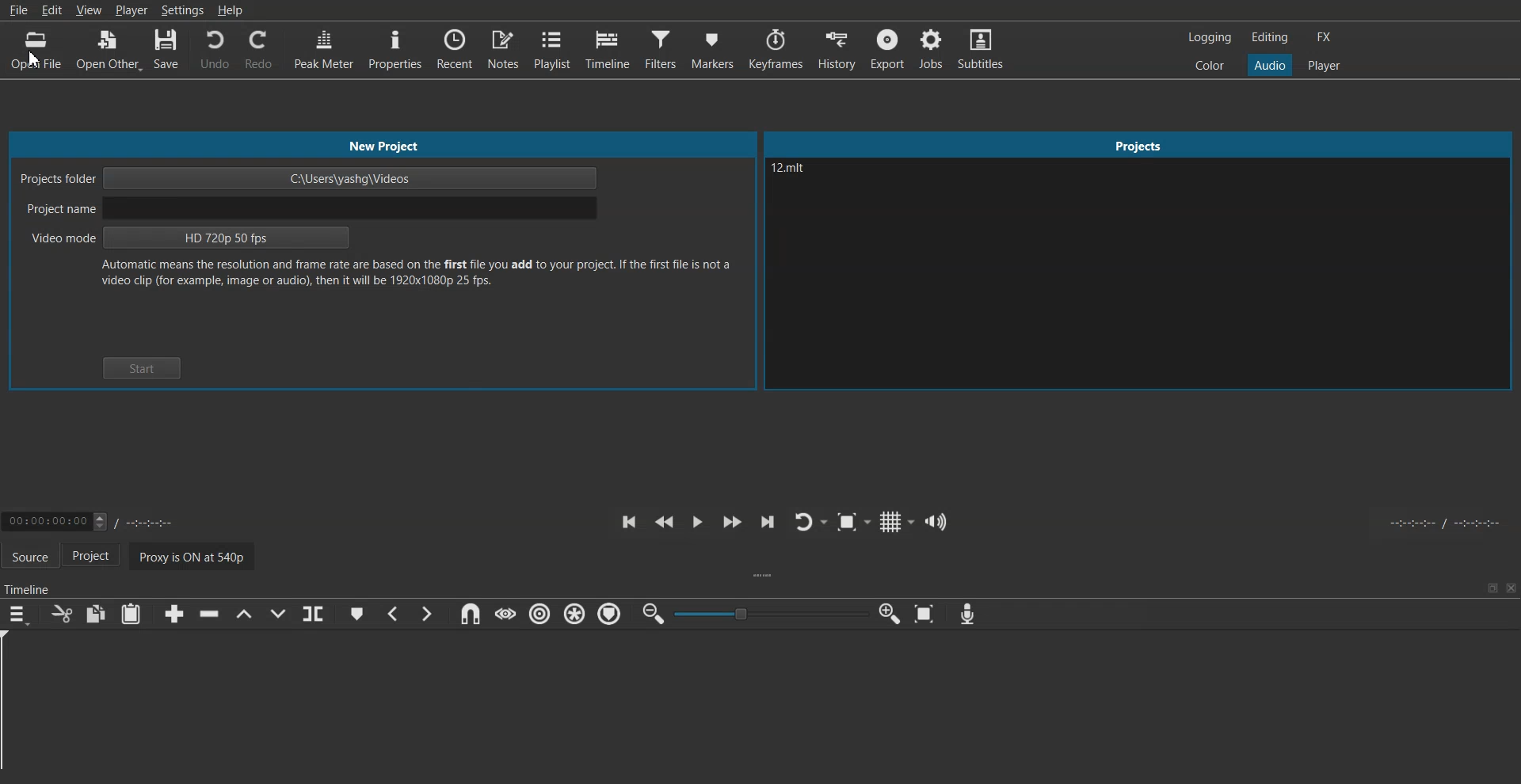  I want to click on Recent, so click(452, 48).